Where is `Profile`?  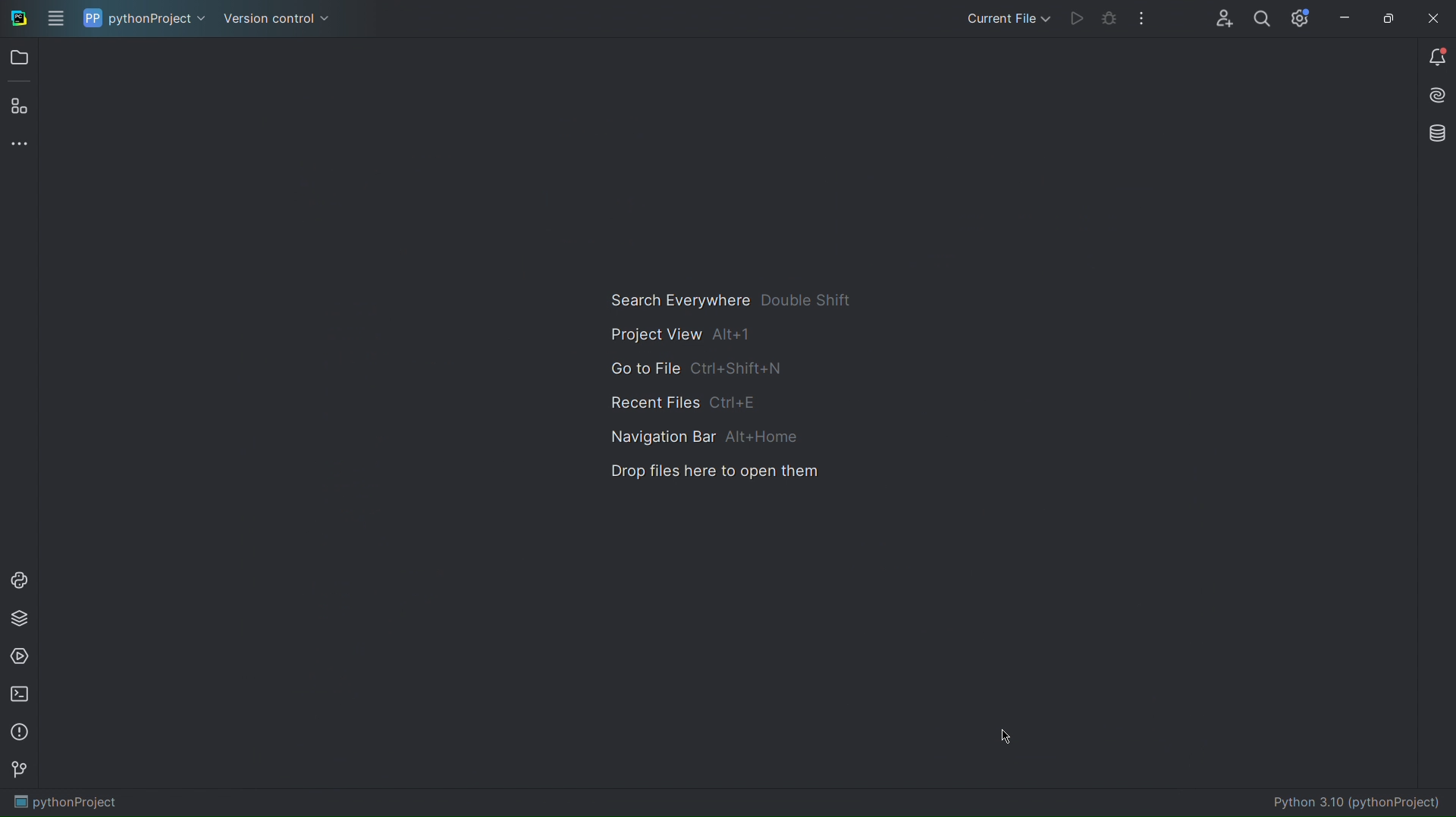 Profile is located at coordinates (1262, 19).